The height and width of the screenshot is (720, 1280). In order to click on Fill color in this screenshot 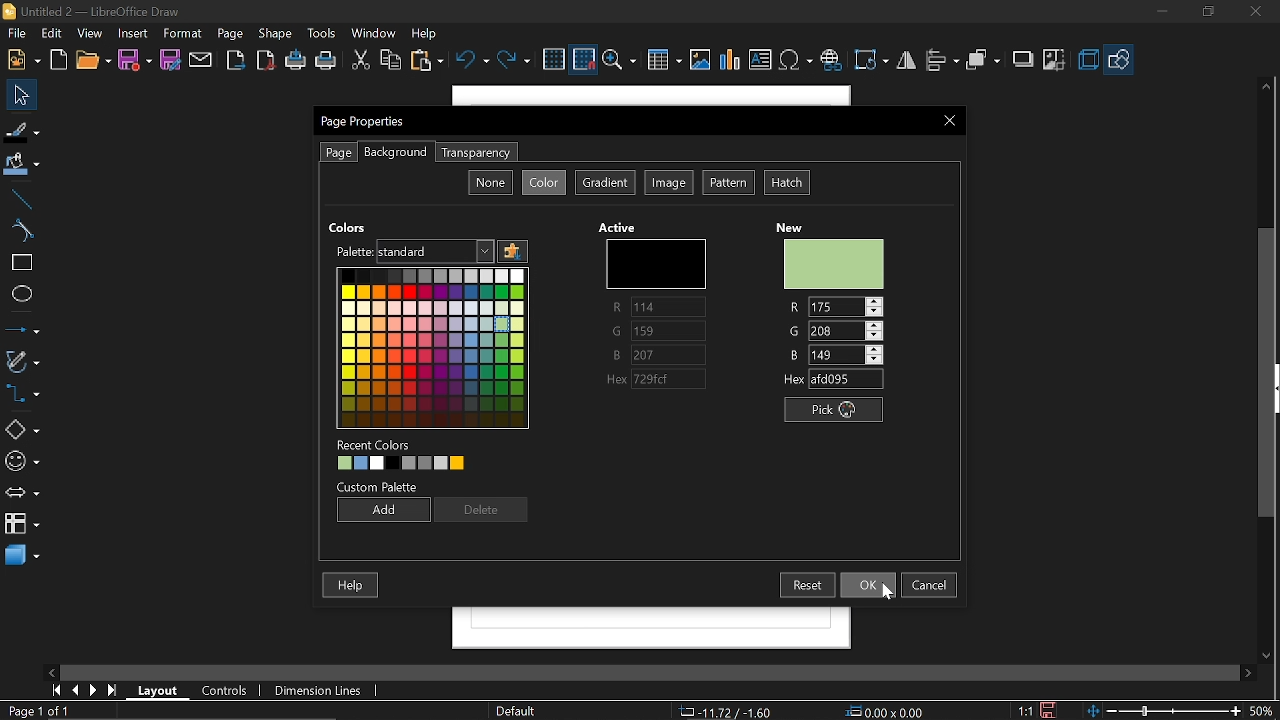, I will do `click(21, 166)`.